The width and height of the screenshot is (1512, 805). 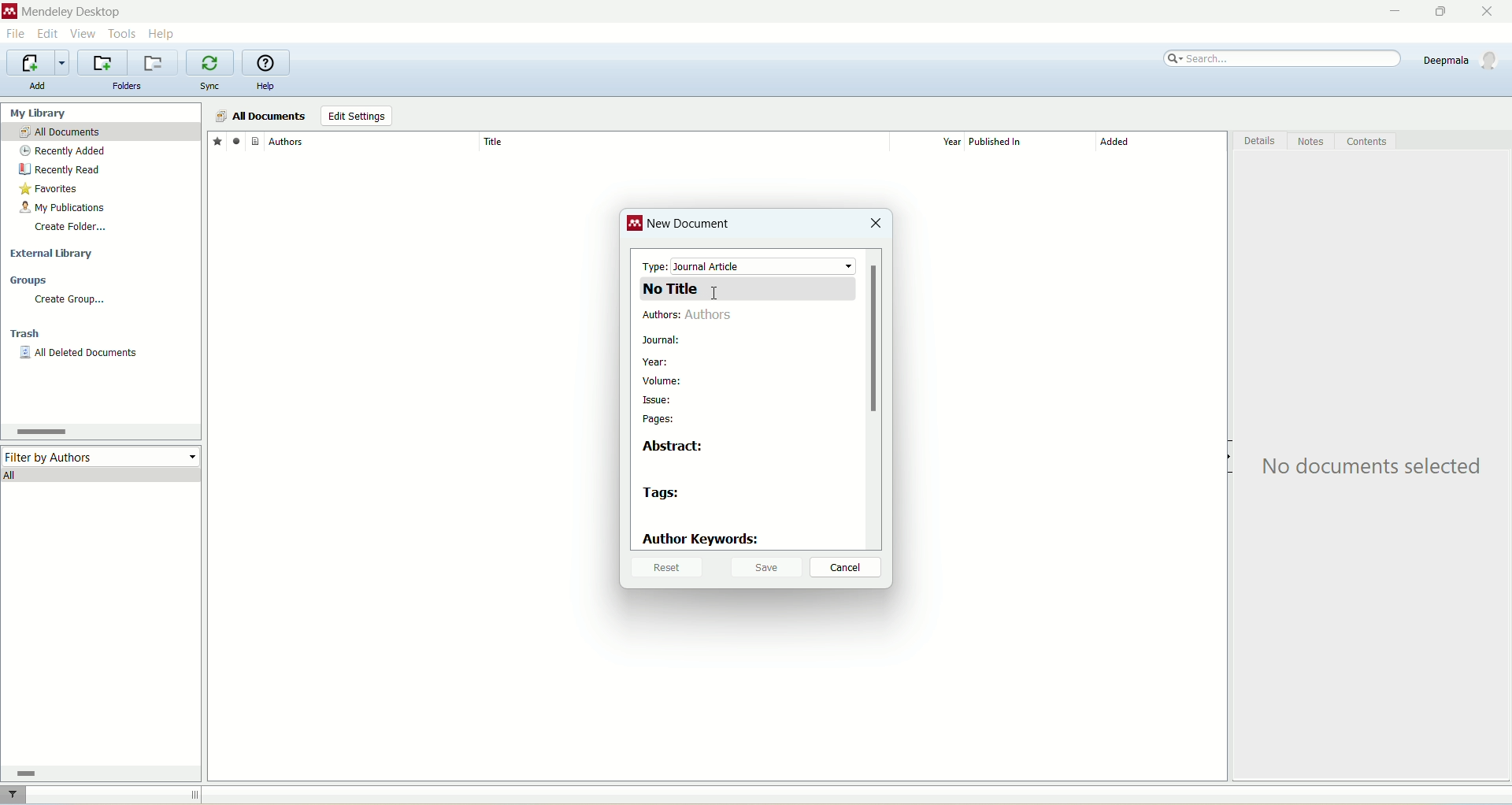 I want to click on favorites, so click(x=217, y=140).